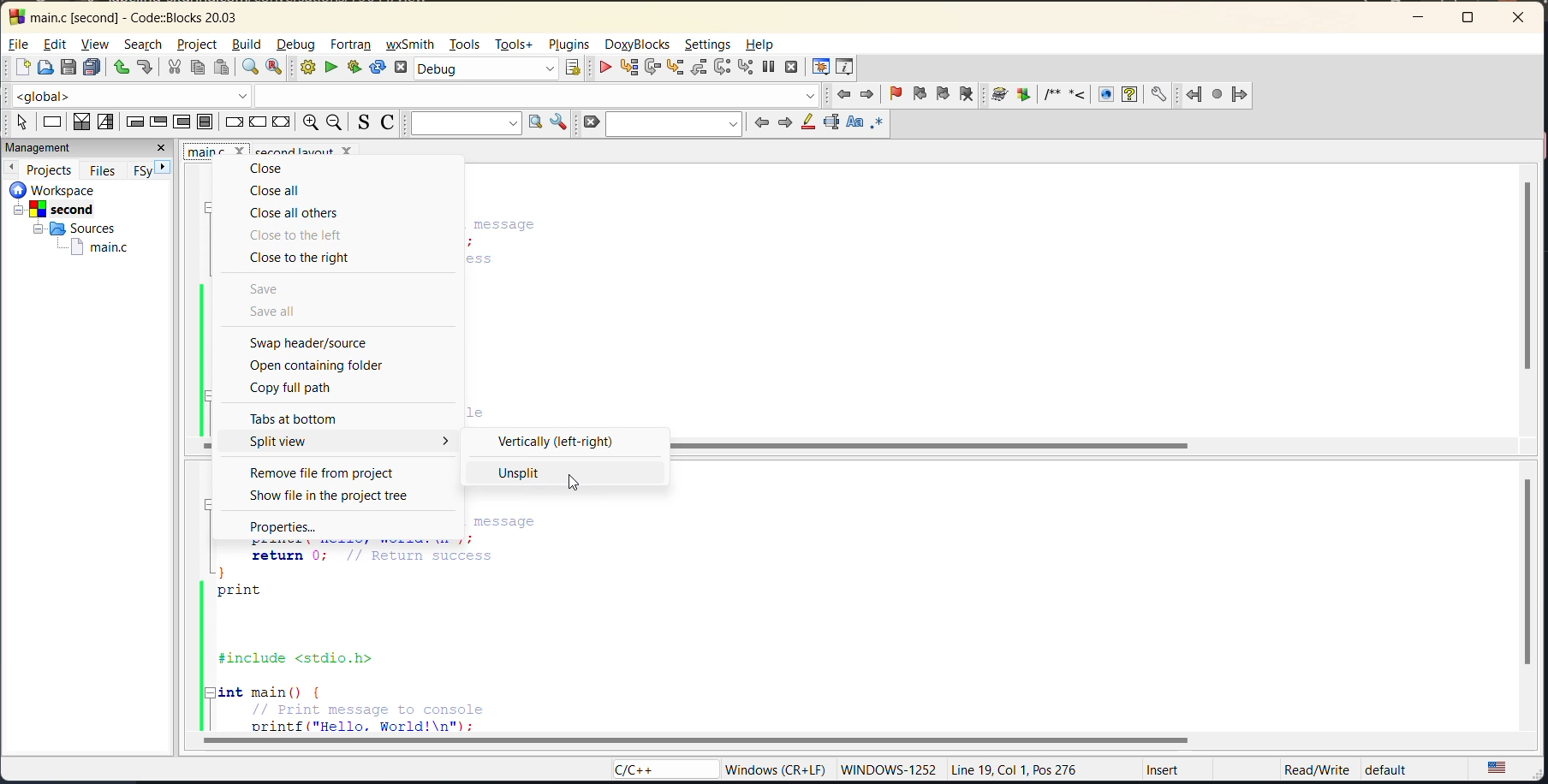  What do you see at coordinates (334, 122) in the screenshot?
I see `zoom out` at bounding box center [334, 122].